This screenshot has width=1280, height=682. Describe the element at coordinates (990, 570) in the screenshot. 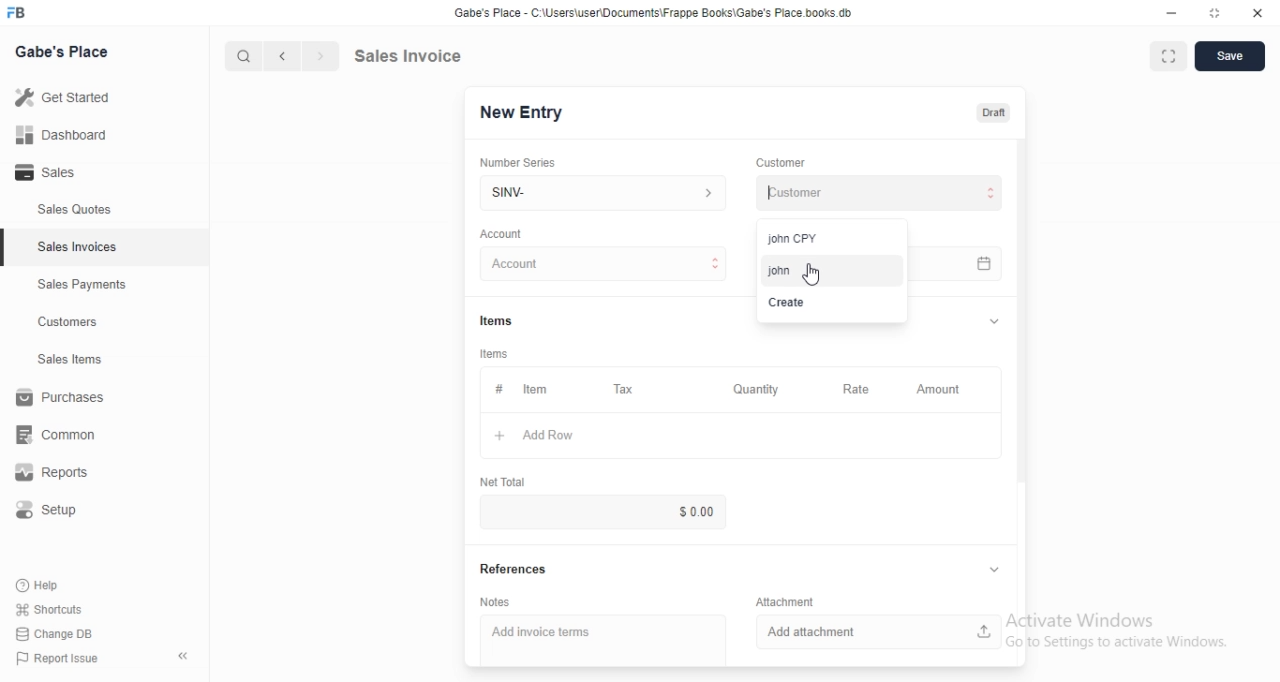

I see `collapse` at that location.